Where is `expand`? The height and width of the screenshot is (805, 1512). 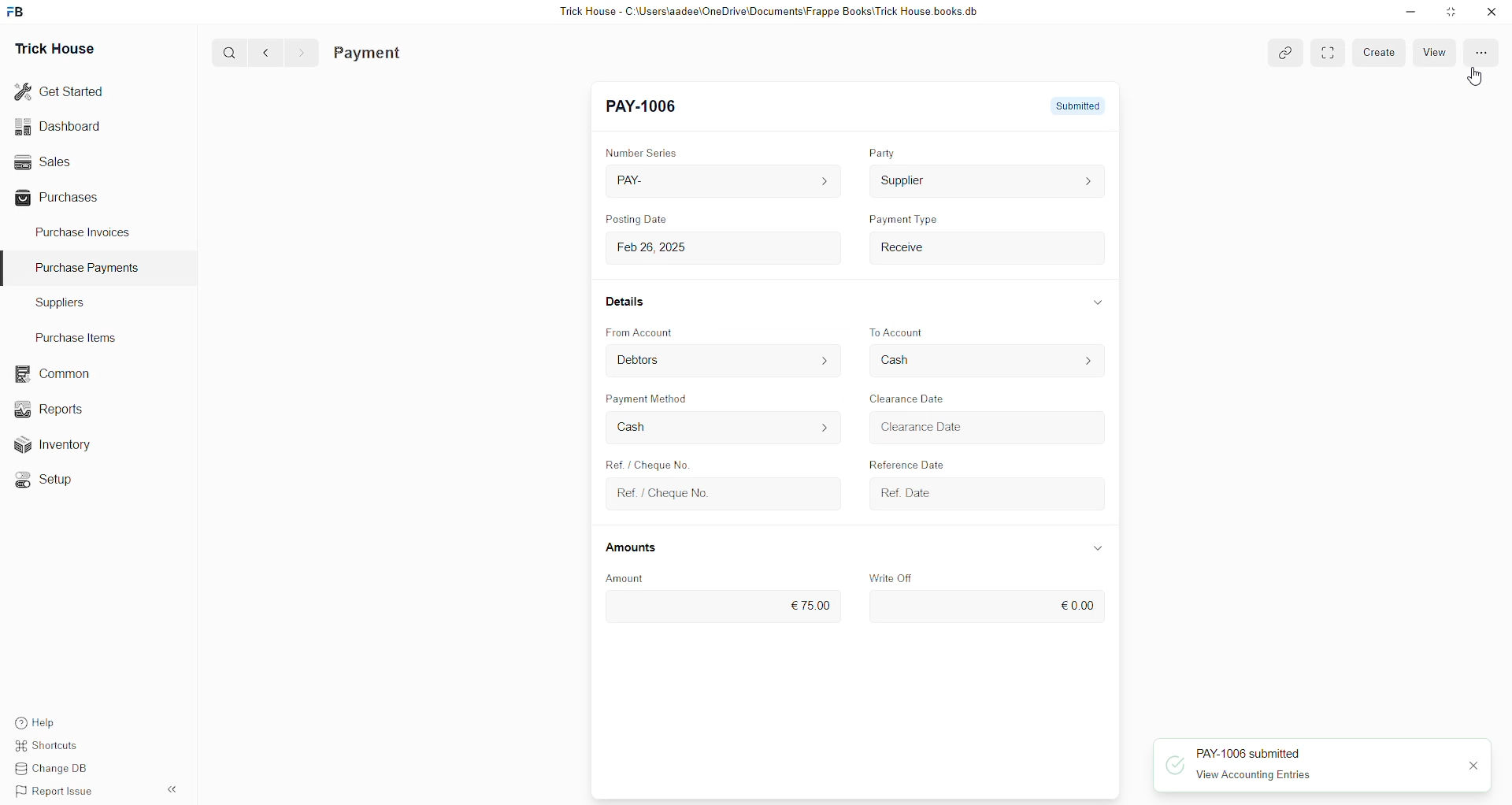 expand is located at coordinates (1087, 301).